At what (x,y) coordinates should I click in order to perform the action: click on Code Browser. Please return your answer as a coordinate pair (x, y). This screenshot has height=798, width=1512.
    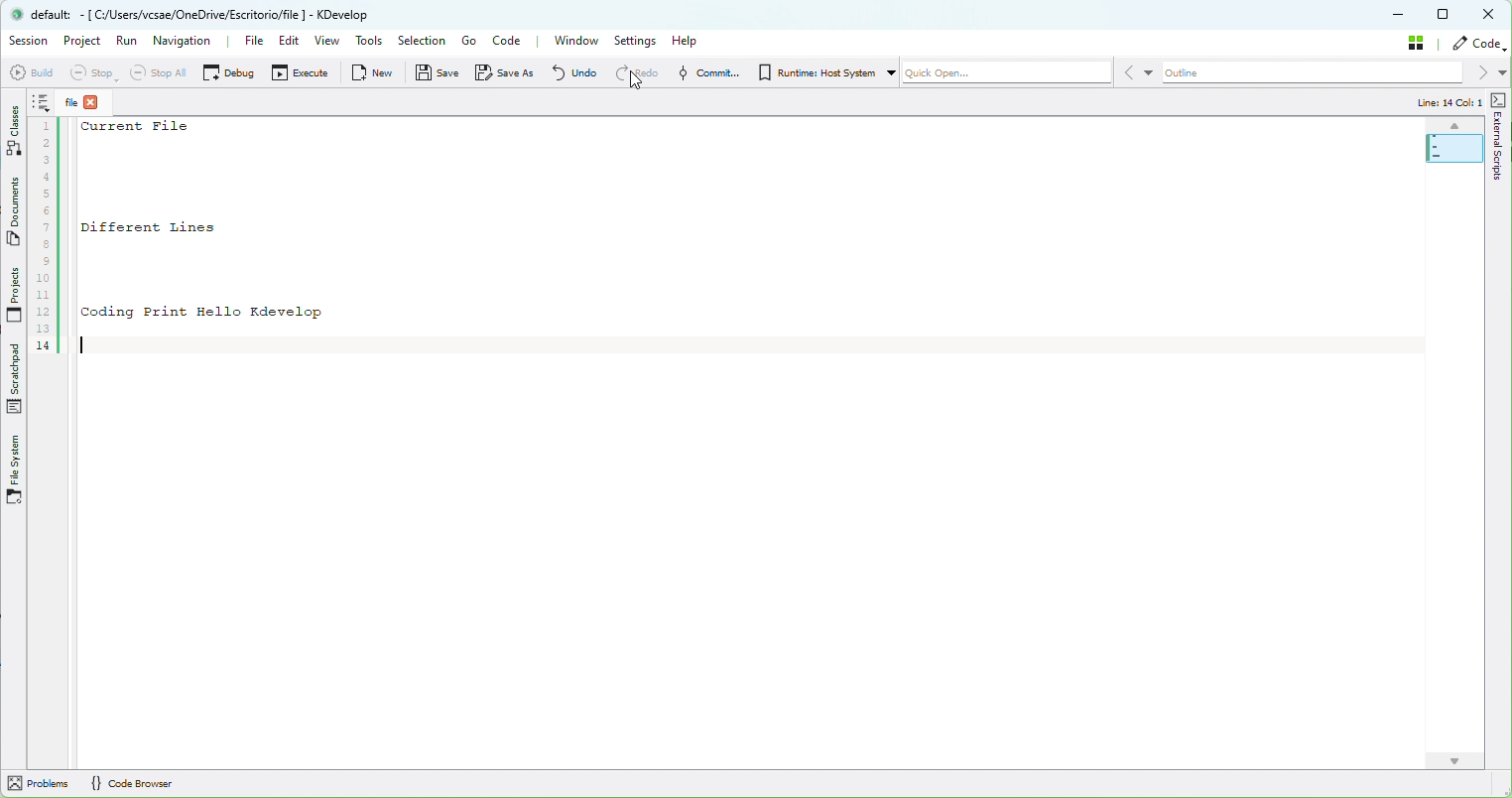
    Looking at the image, I should click on (135, 784).